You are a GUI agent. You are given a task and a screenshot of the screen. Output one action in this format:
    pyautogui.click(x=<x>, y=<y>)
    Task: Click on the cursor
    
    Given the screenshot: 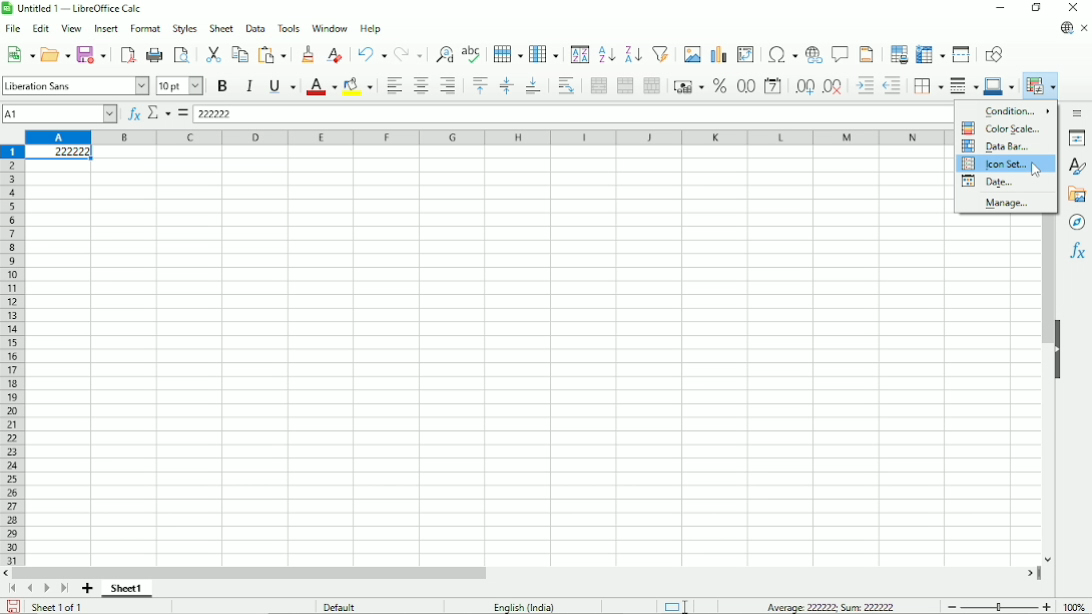 What is the action you would take?
    pyautogui.click(x=1035, y=170)
    